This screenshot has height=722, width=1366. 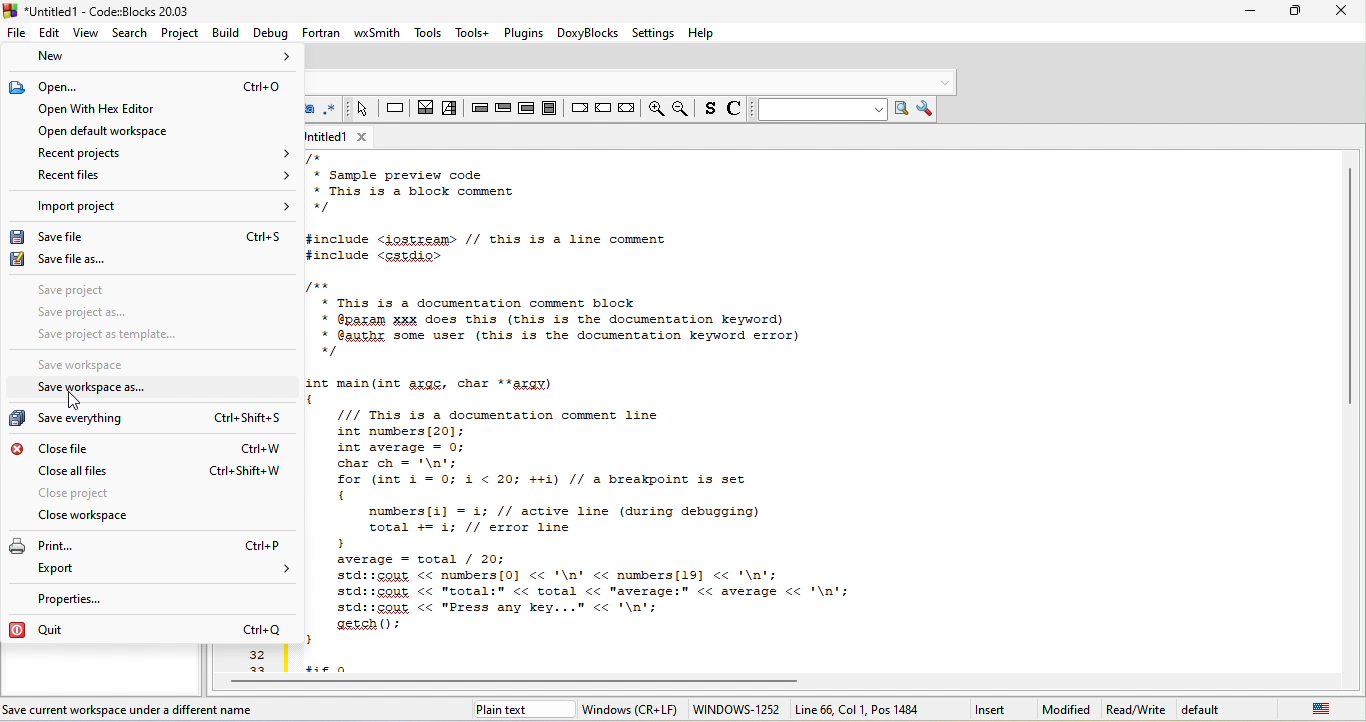 I want to click on close workspace, so click(x=111, y=518).